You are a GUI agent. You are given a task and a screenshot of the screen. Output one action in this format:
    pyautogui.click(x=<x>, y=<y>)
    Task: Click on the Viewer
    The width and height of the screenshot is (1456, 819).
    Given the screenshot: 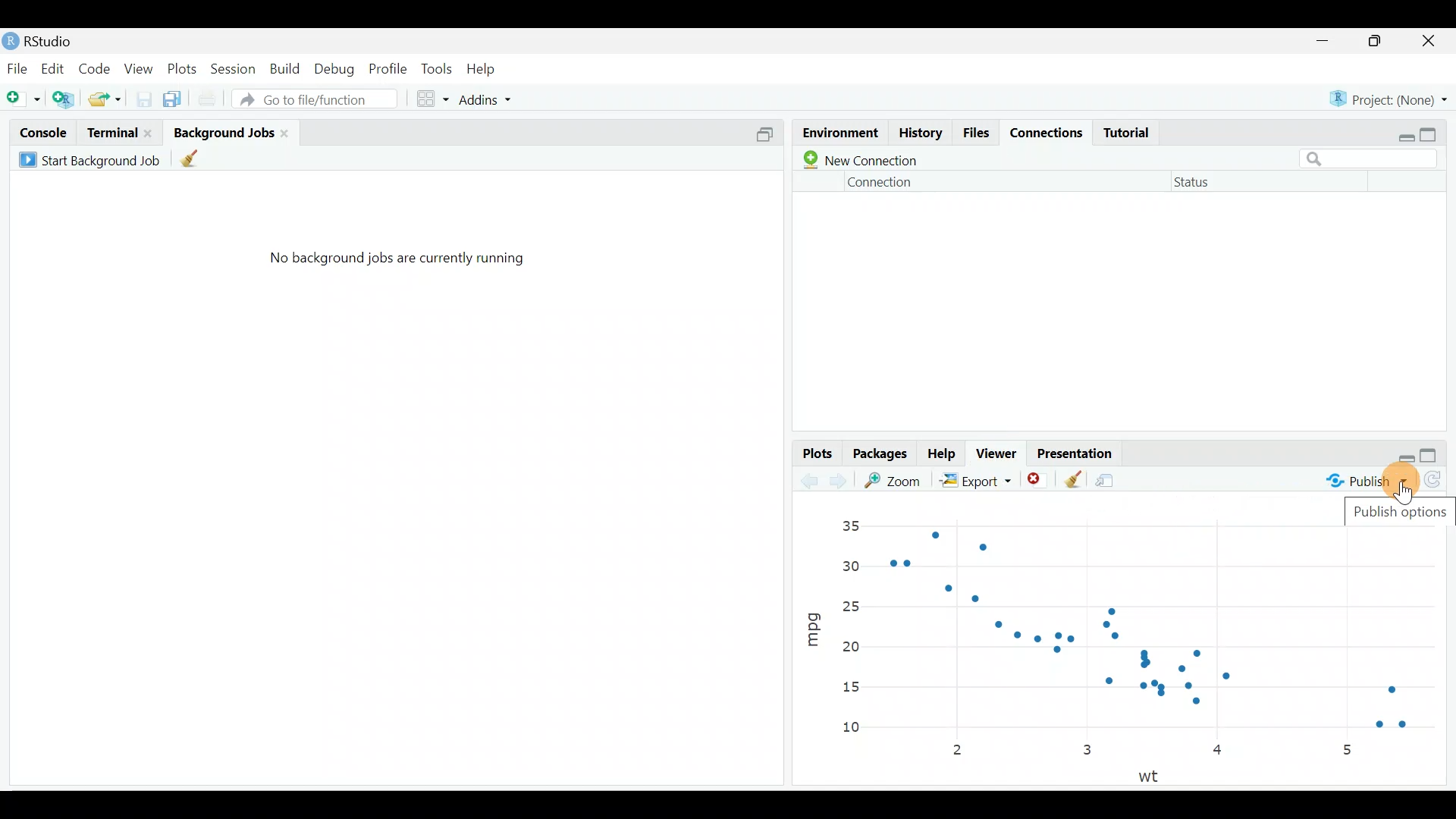 What is the action you would take?
    pyautogui.click(x=1000, y=453)
    